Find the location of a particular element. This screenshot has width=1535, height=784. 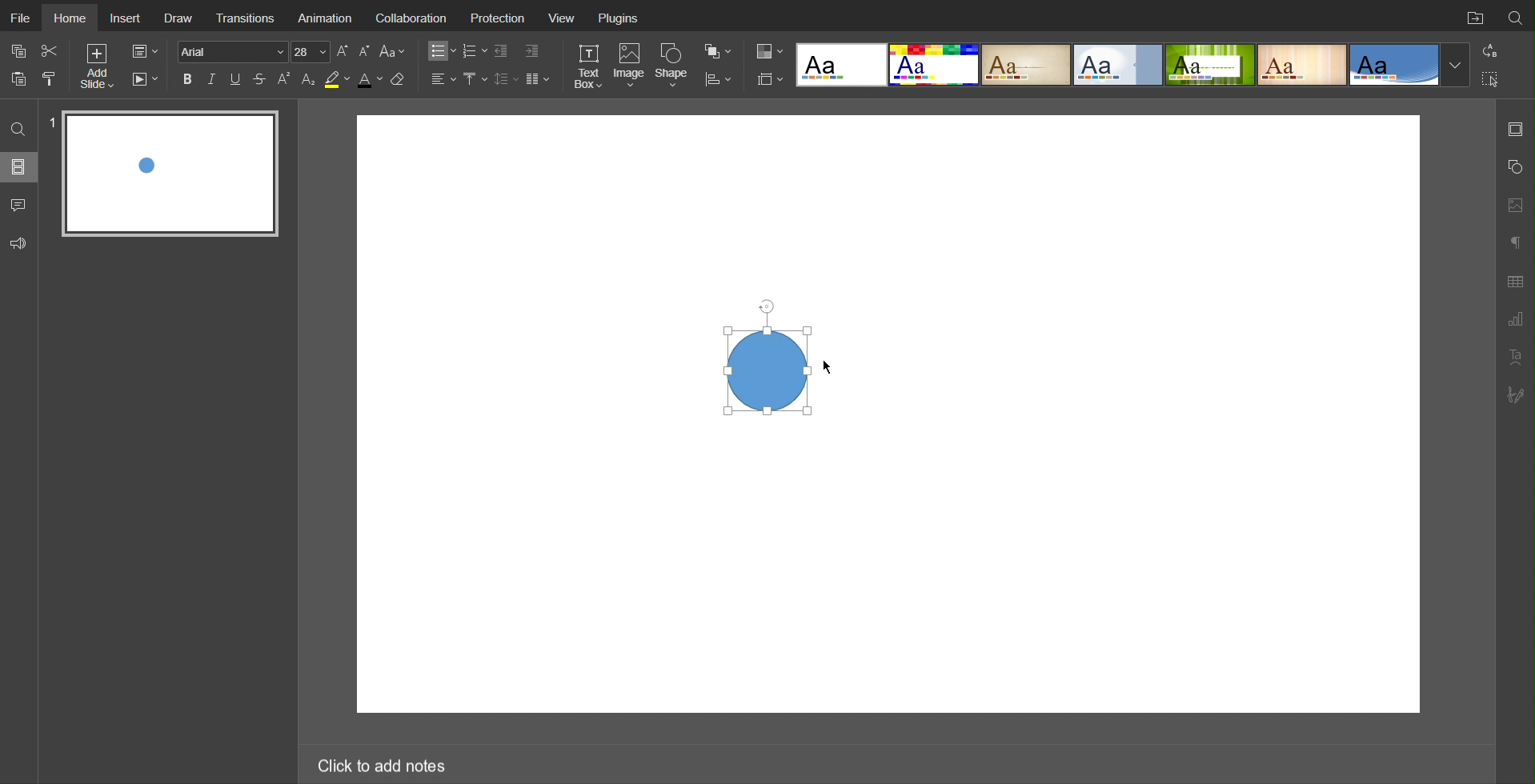

Subscript is located at coordinates (309, 79).